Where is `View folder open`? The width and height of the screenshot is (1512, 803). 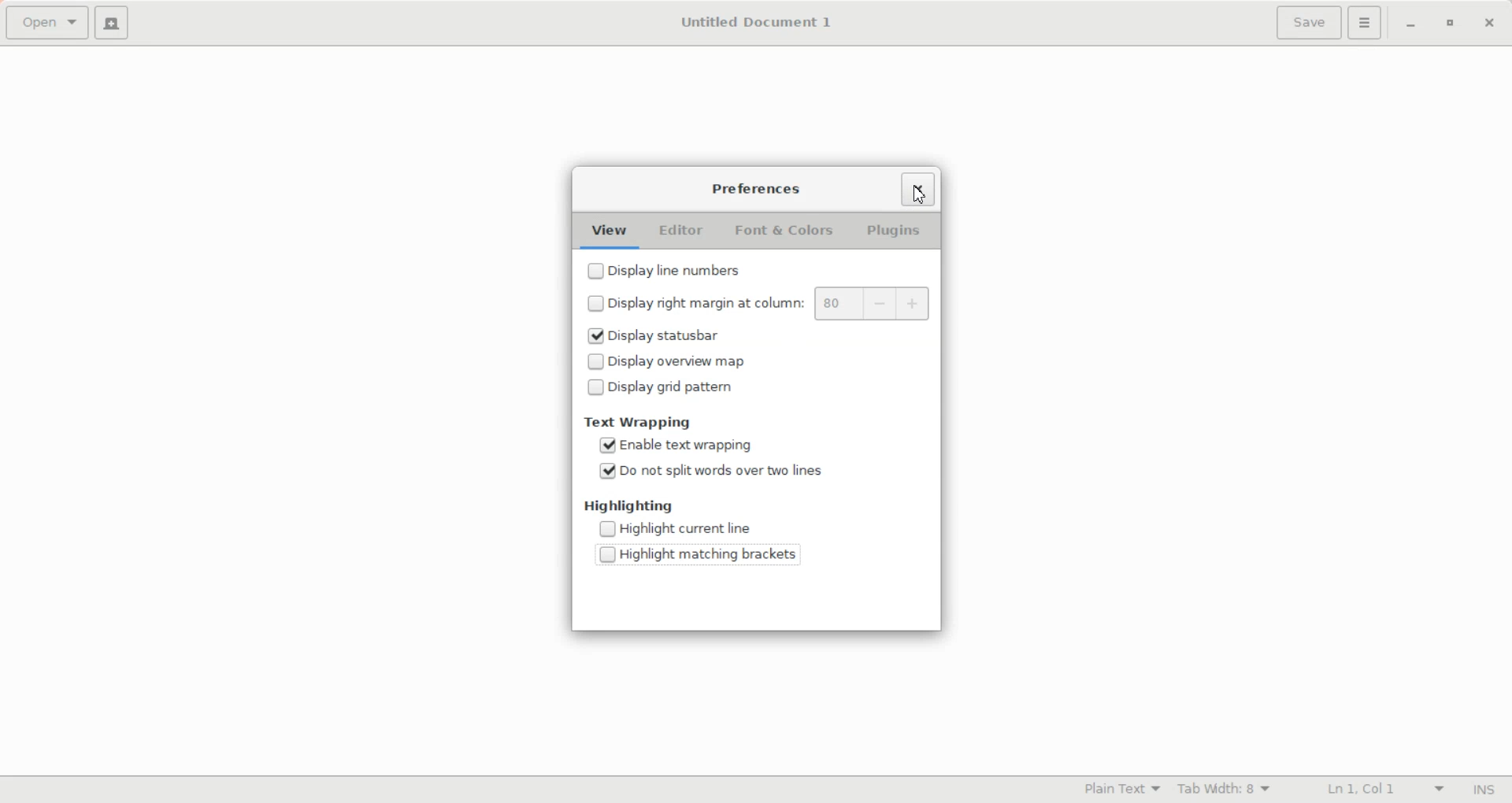 View folder open is located at coordinates (610, 232).